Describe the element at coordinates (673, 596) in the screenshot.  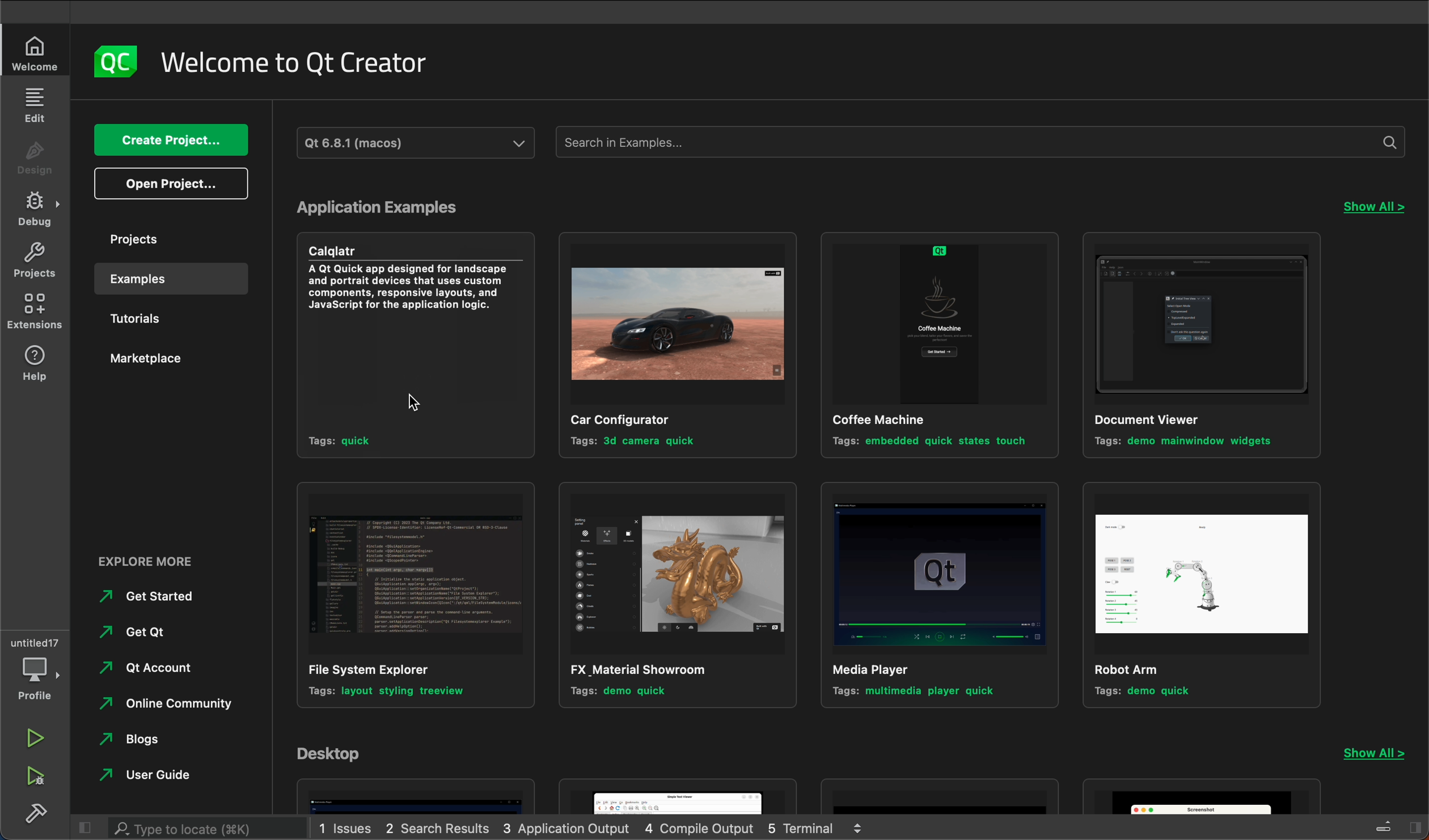
I see `FX_Material Showroom` at that location.